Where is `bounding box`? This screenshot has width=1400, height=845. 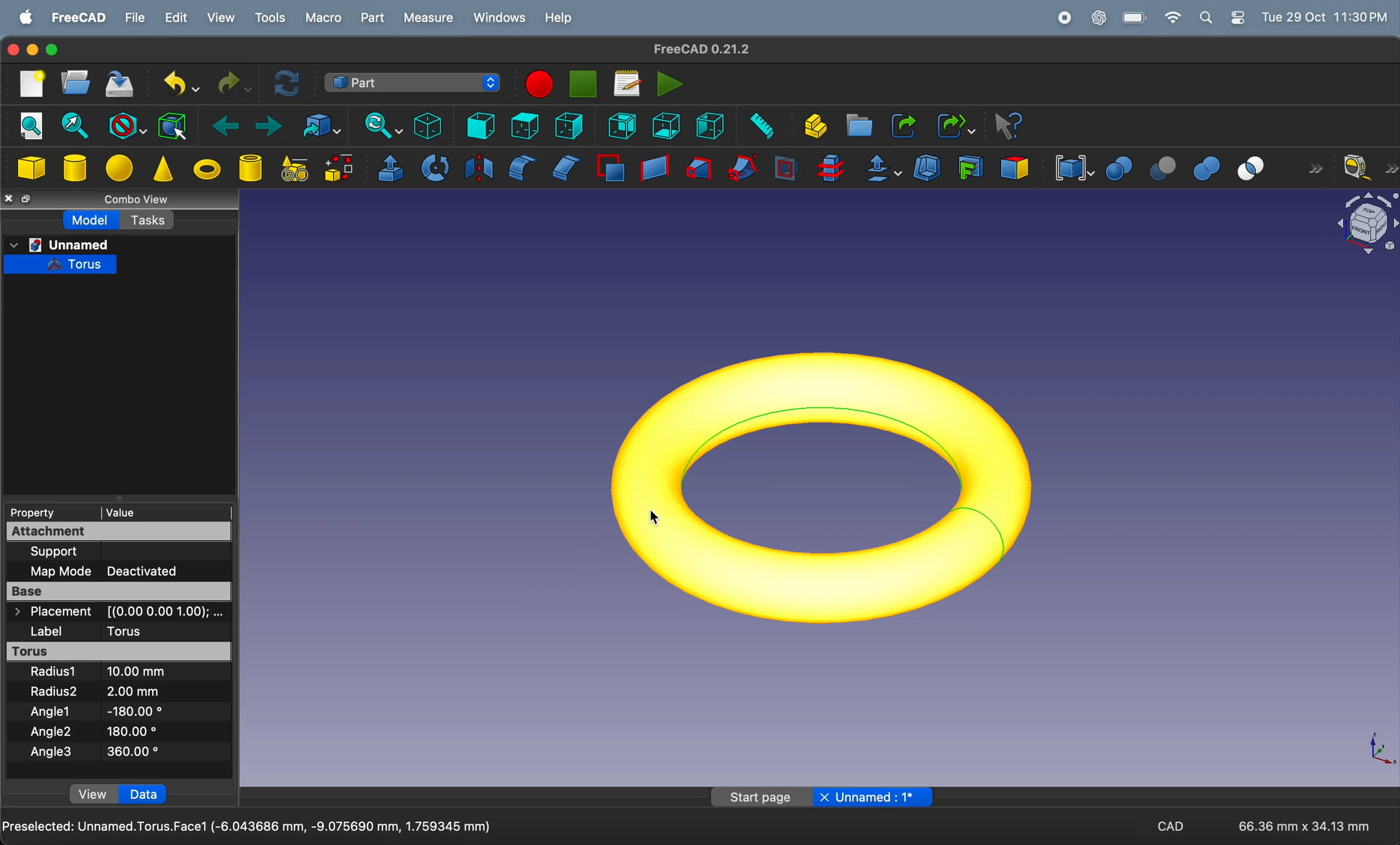
bounding box is located at coordinates (173, 125).